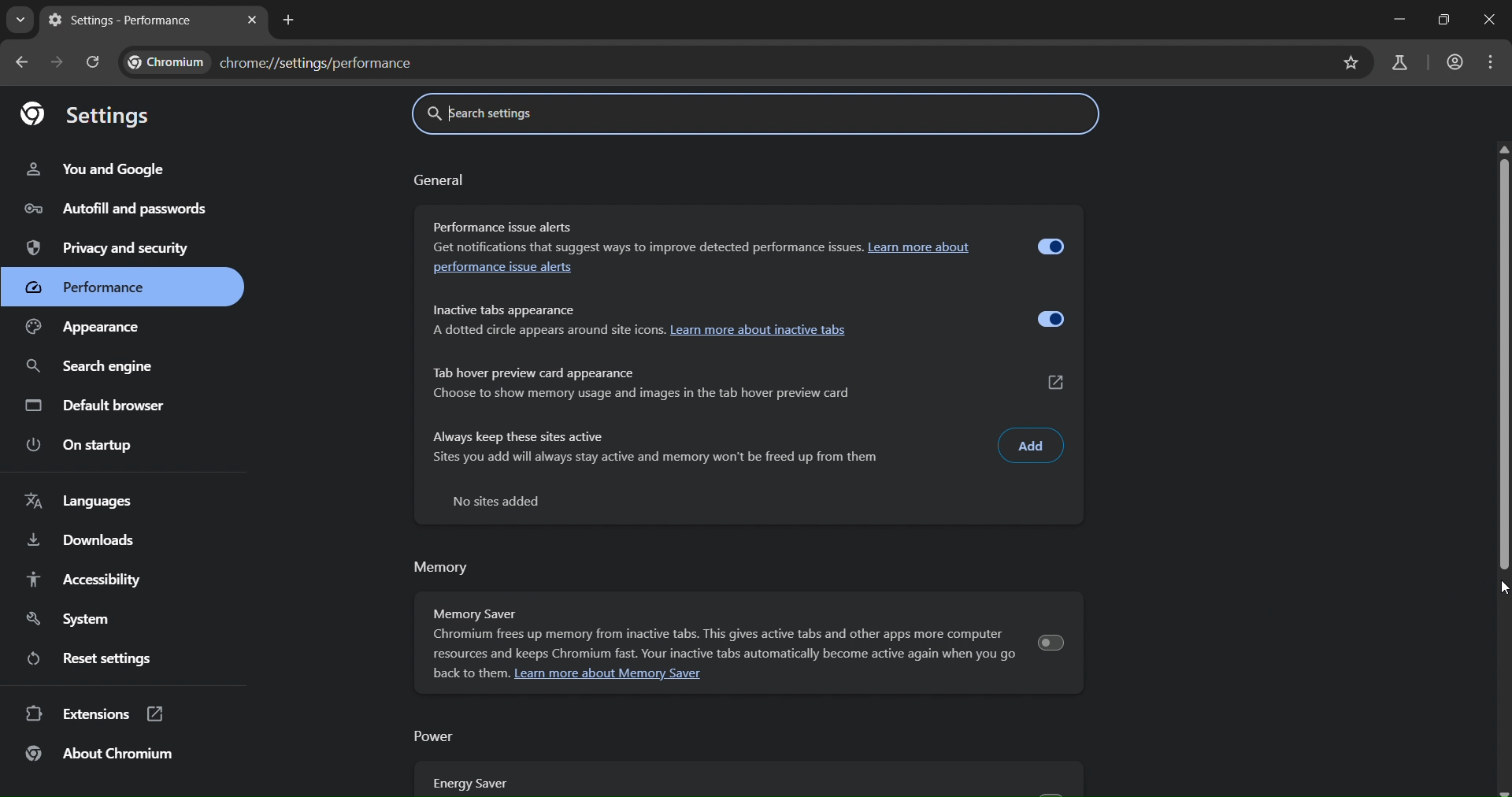 This screenshot has width=1512, height=797. Describe the element at coordinates (124, 20) in the screenshot. I see `settings - performace` at that location.